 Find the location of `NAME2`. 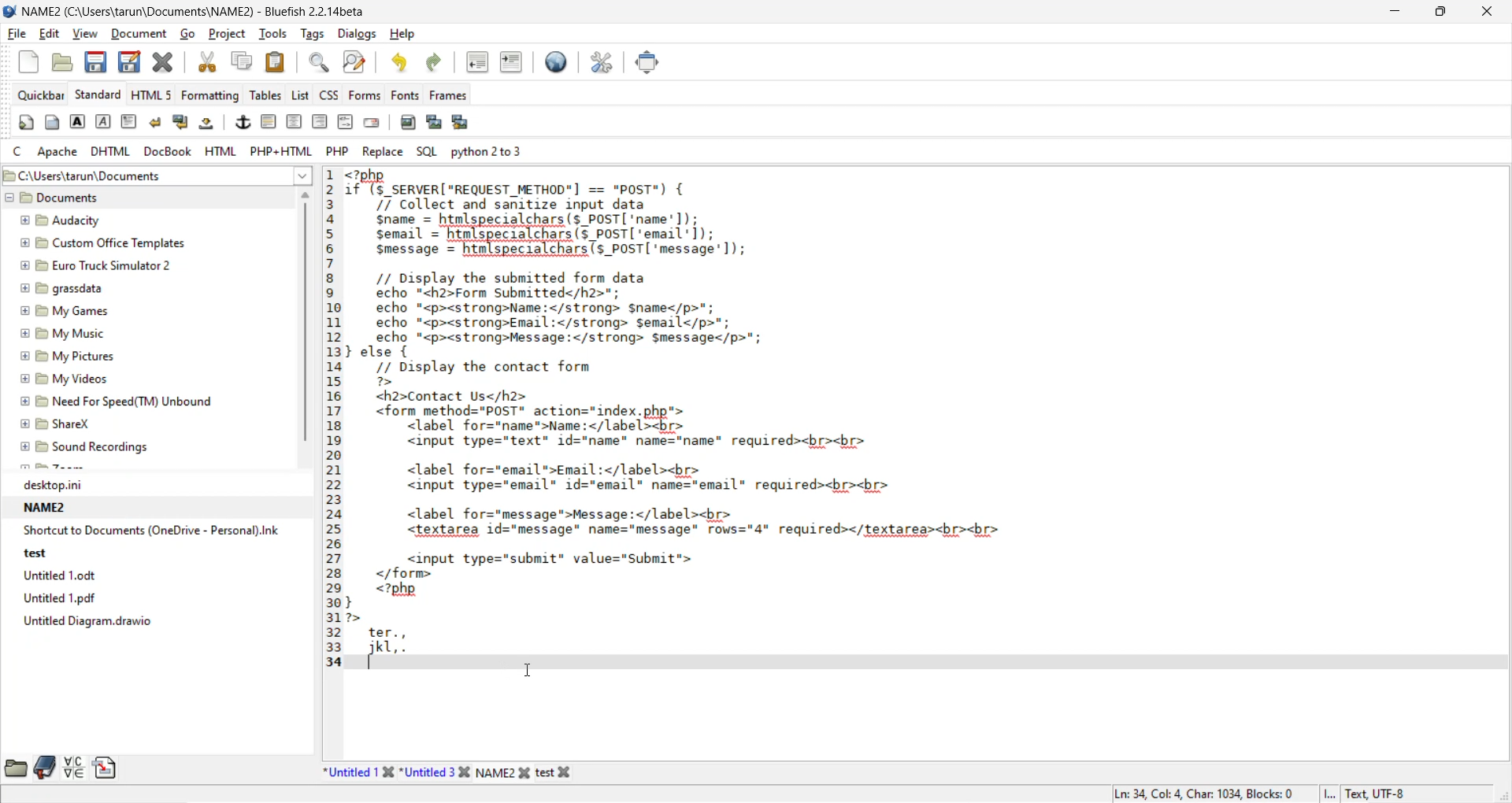

NAME2 is located at coordinates (50, 508).